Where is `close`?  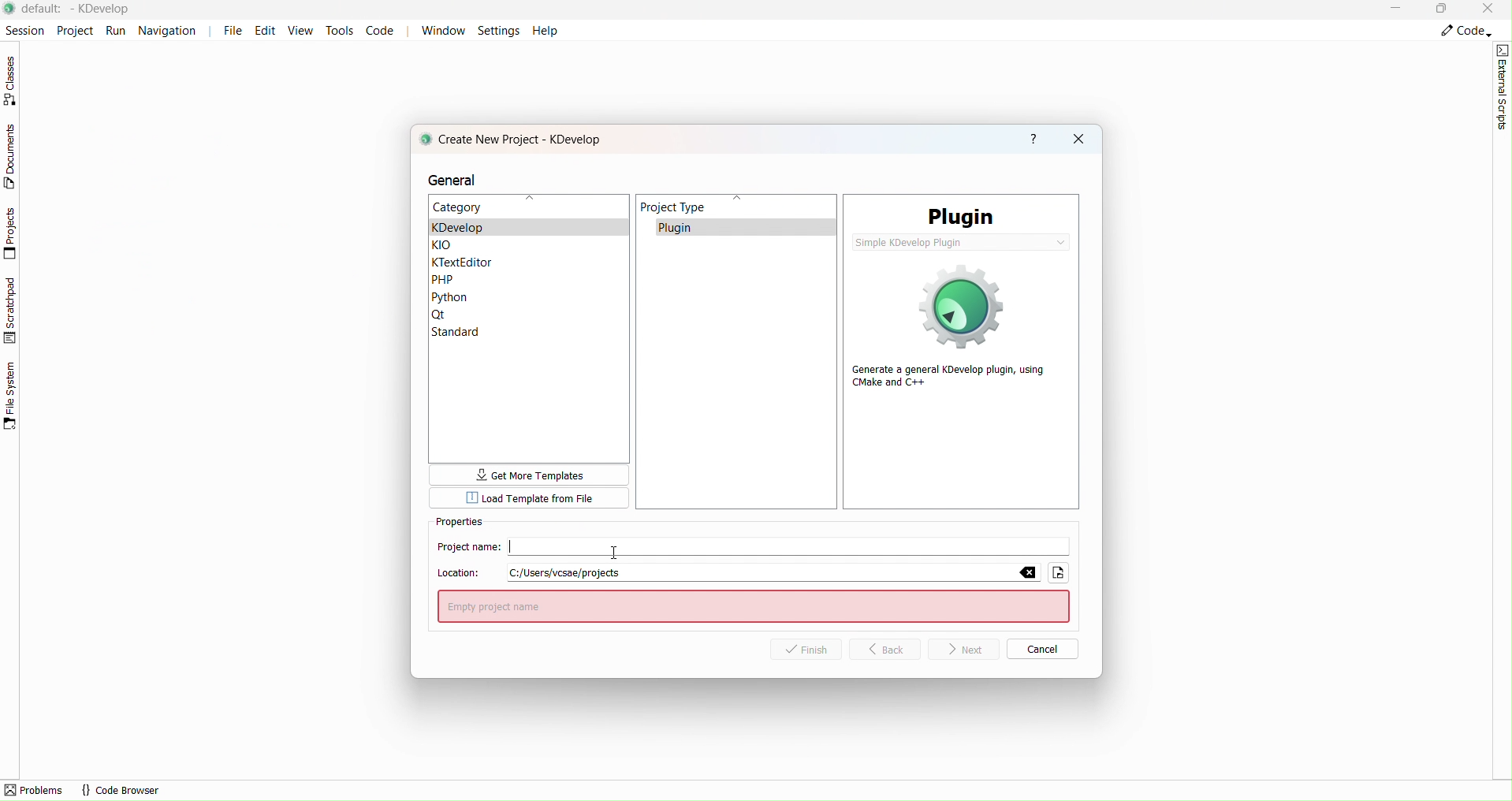
close is located at coordinates (1078, 140).